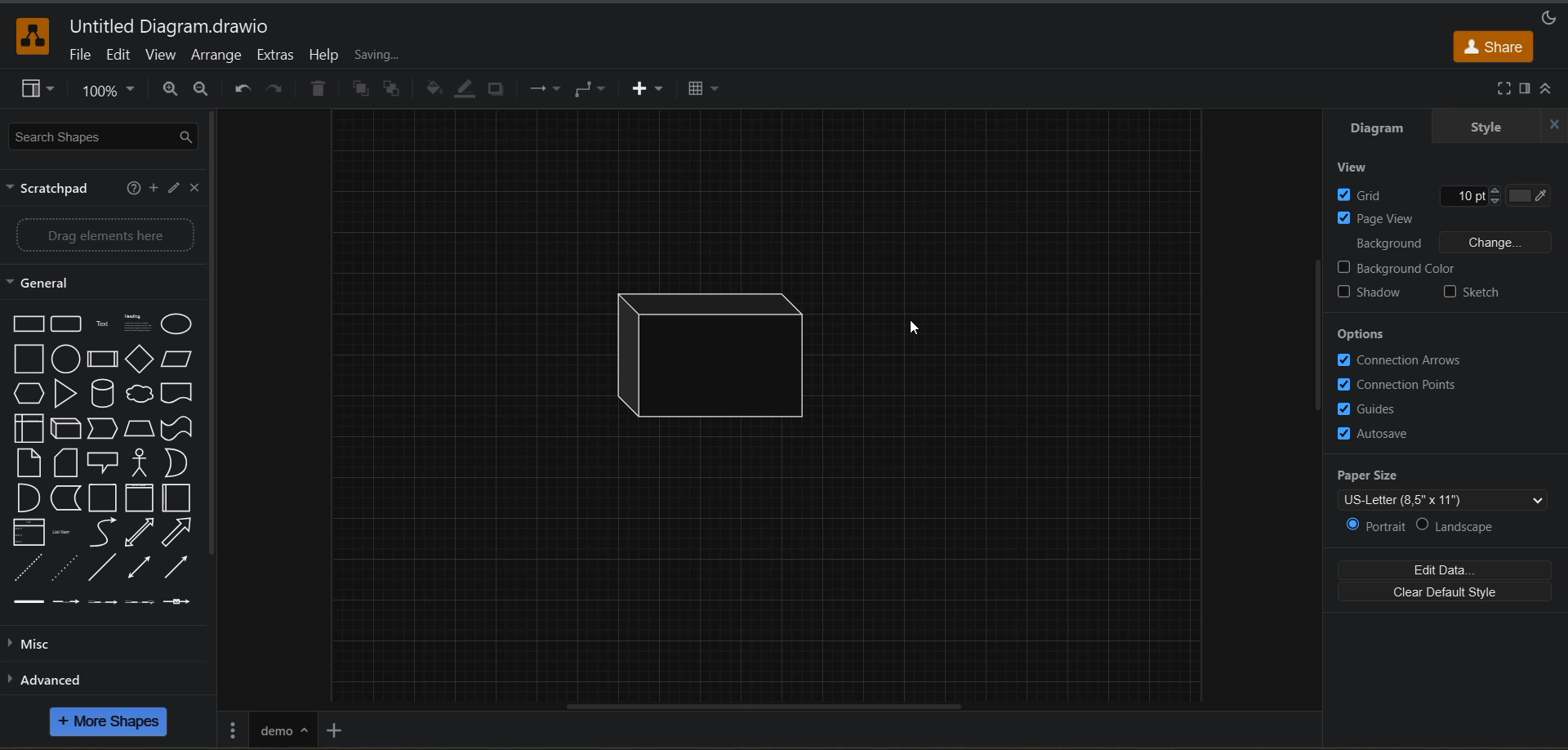 This screenshot has height=750, width=1568. Describe the element at coordinates (317, 90) in the screenshot. I see `delete` at that location.